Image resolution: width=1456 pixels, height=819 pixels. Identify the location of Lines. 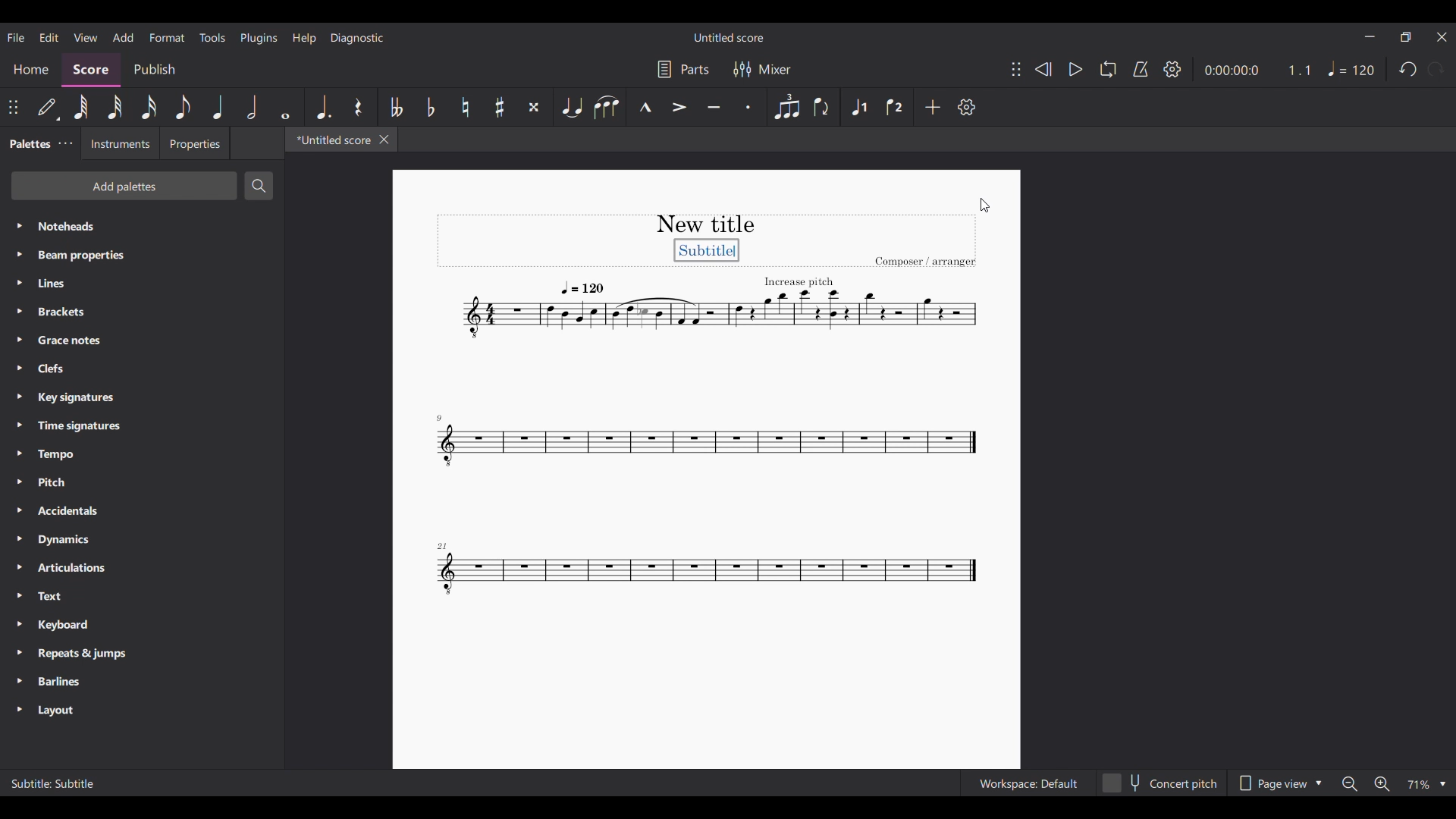
(142, 283).